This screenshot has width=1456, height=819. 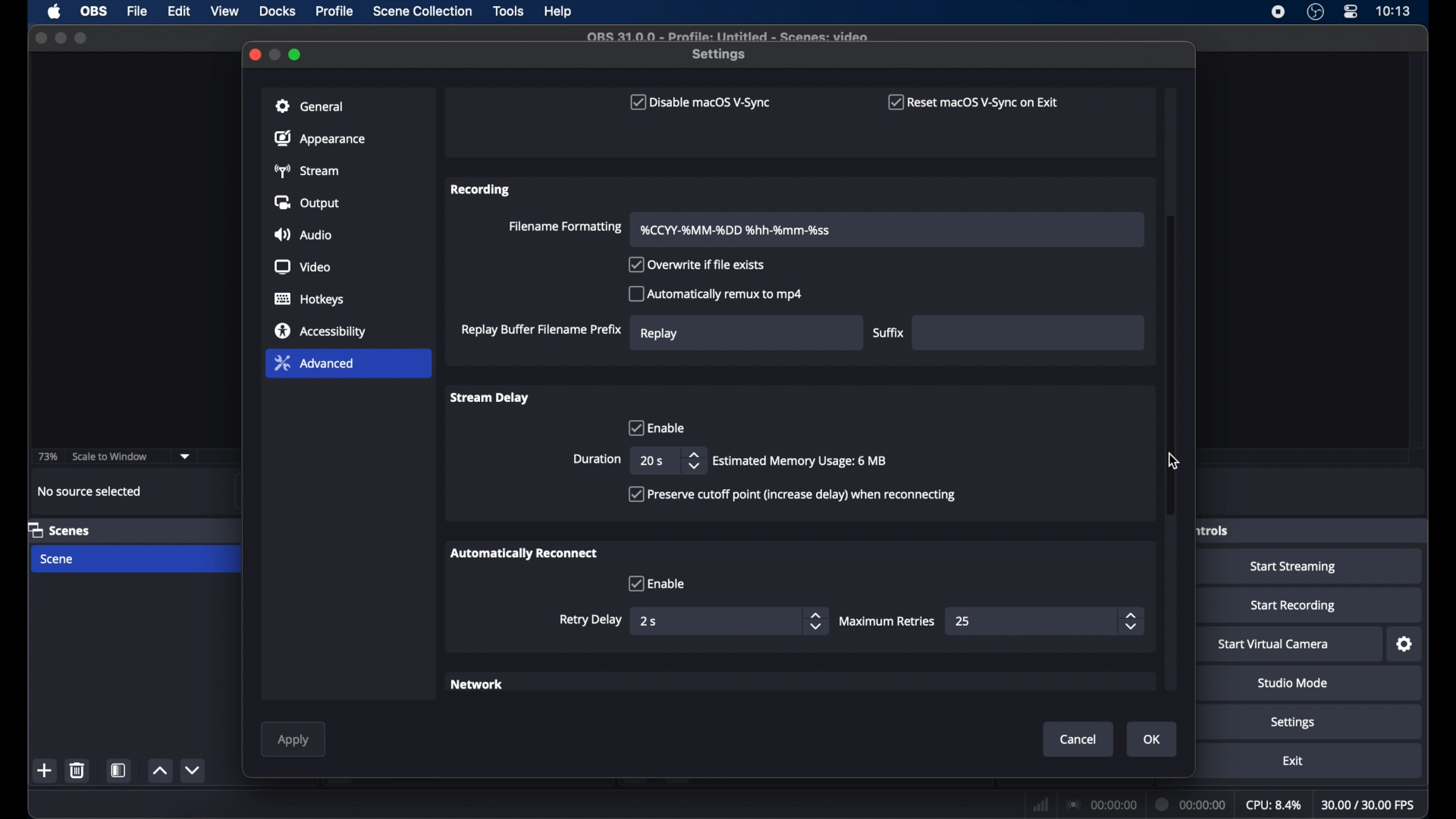 What do you see at coordinates (1040, 803) in the screenshot?
I see `network` at bounding box center [1040, 803].